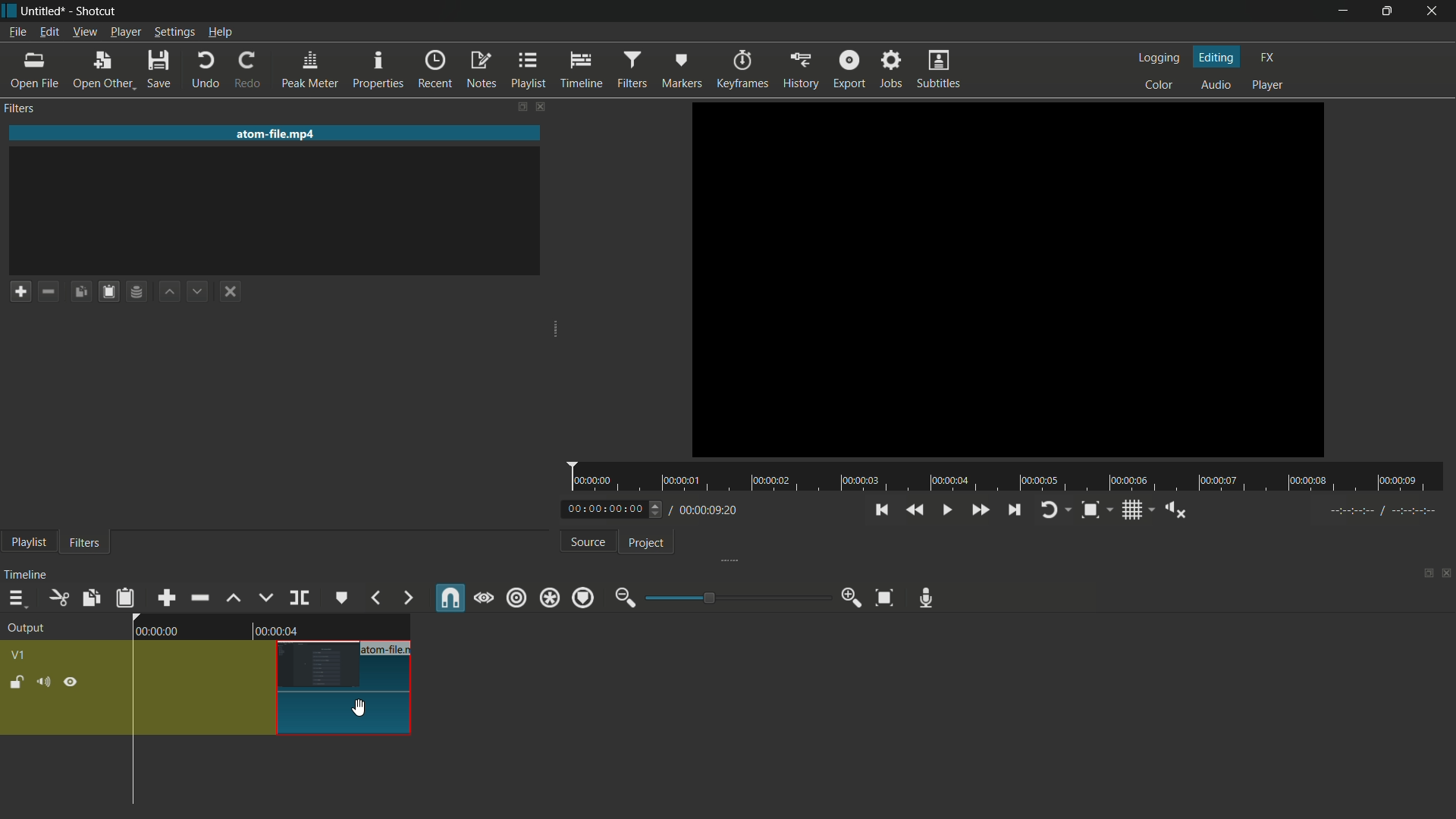 Image resolution: width=1456 pixels, height=819 pixels. What do you see at coordinates (57, 598) in the screenshot?
I see `cut` at bounding box center [57, 598].